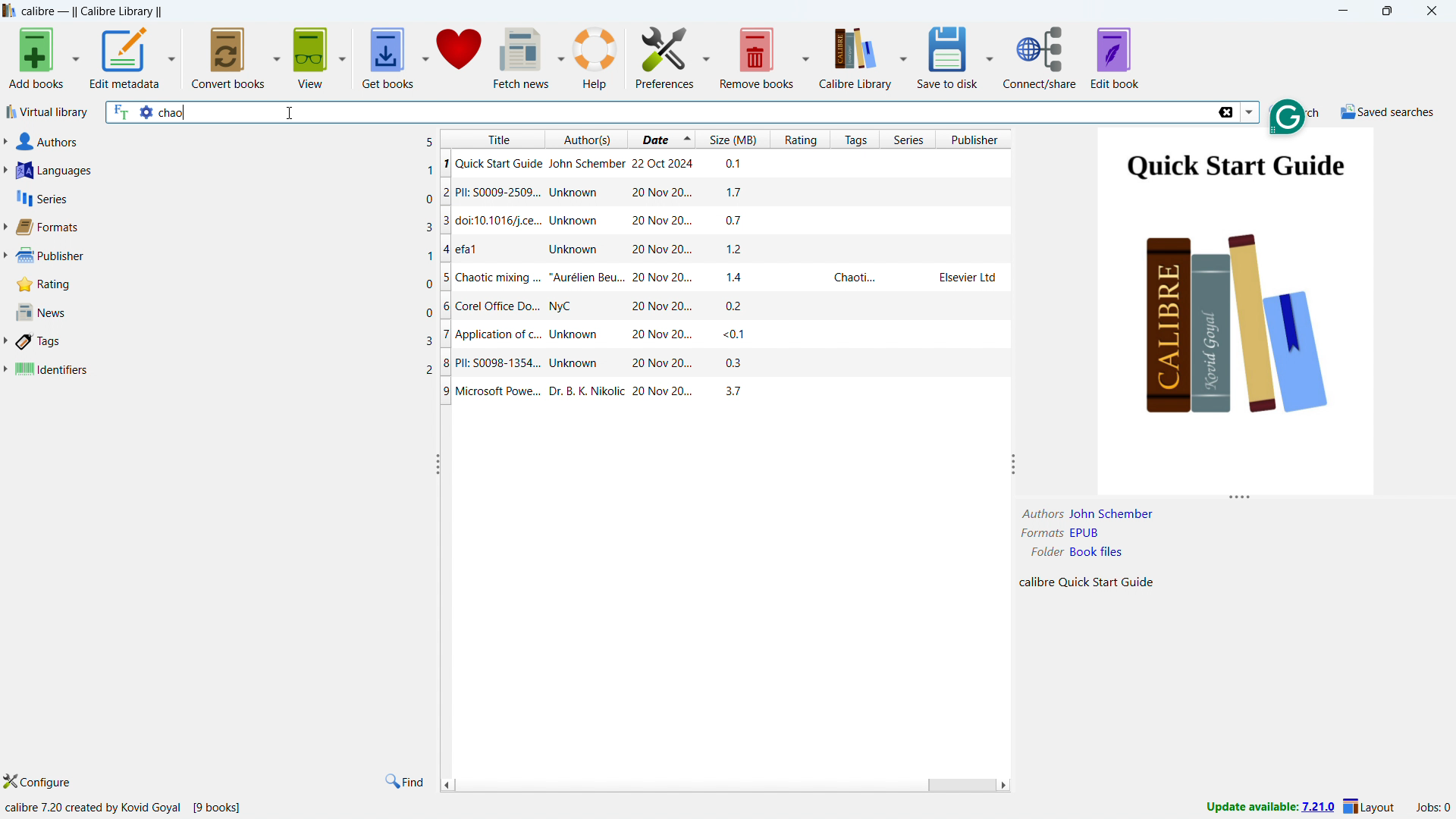  Describe the element at coordinates (855, 57) in the screenshot. I see `calibre library` at that location.